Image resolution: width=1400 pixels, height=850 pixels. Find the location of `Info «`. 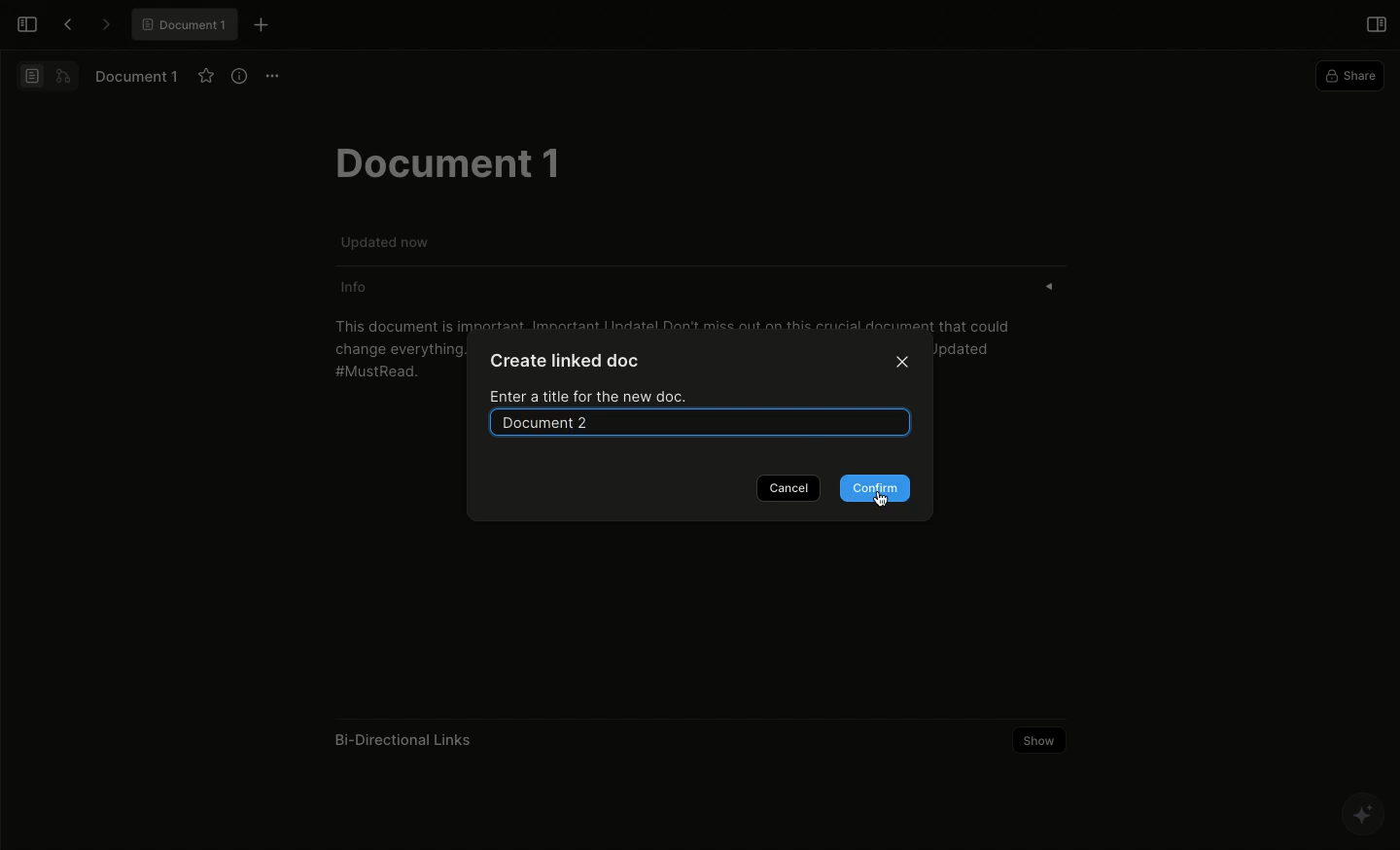

Info « is located at coordinates (717, 288).